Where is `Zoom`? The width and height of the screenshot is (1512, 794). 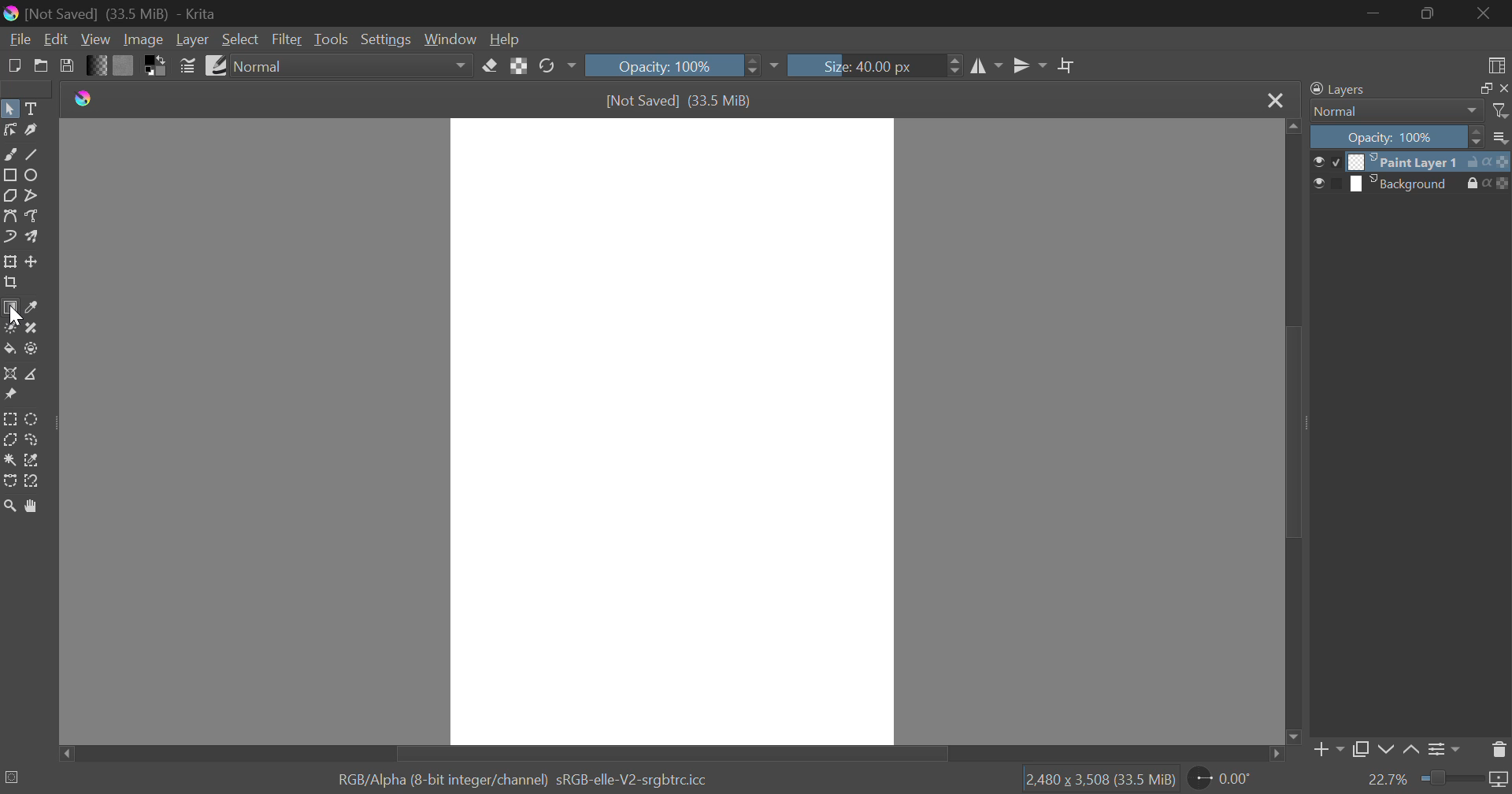
Zoom is located at coordinates (9, 506).